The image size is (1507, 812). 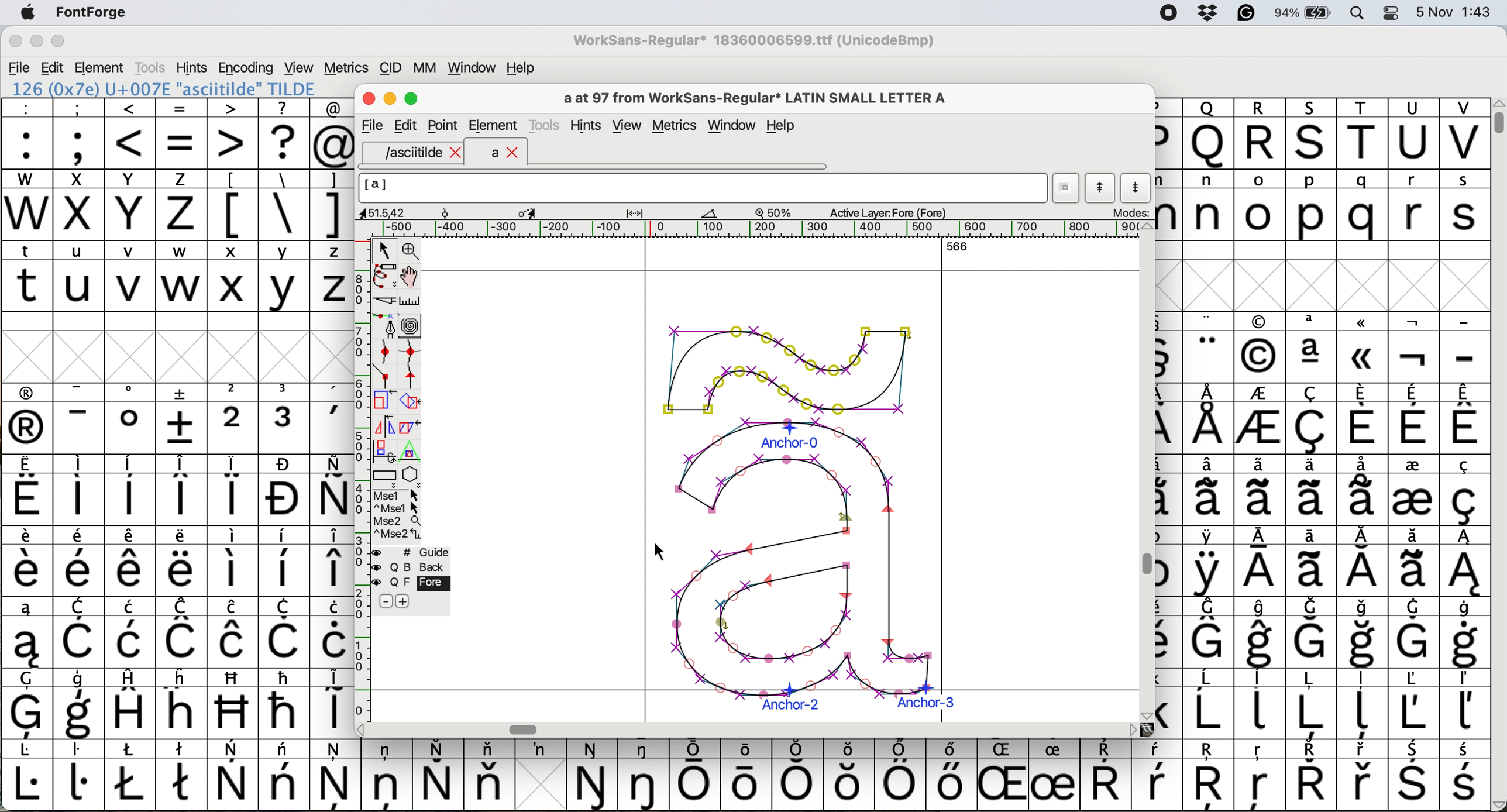 What do you see at coordinates (234, 776) in the screenshot?
I see `symbol` at bounding box center [234, 776].